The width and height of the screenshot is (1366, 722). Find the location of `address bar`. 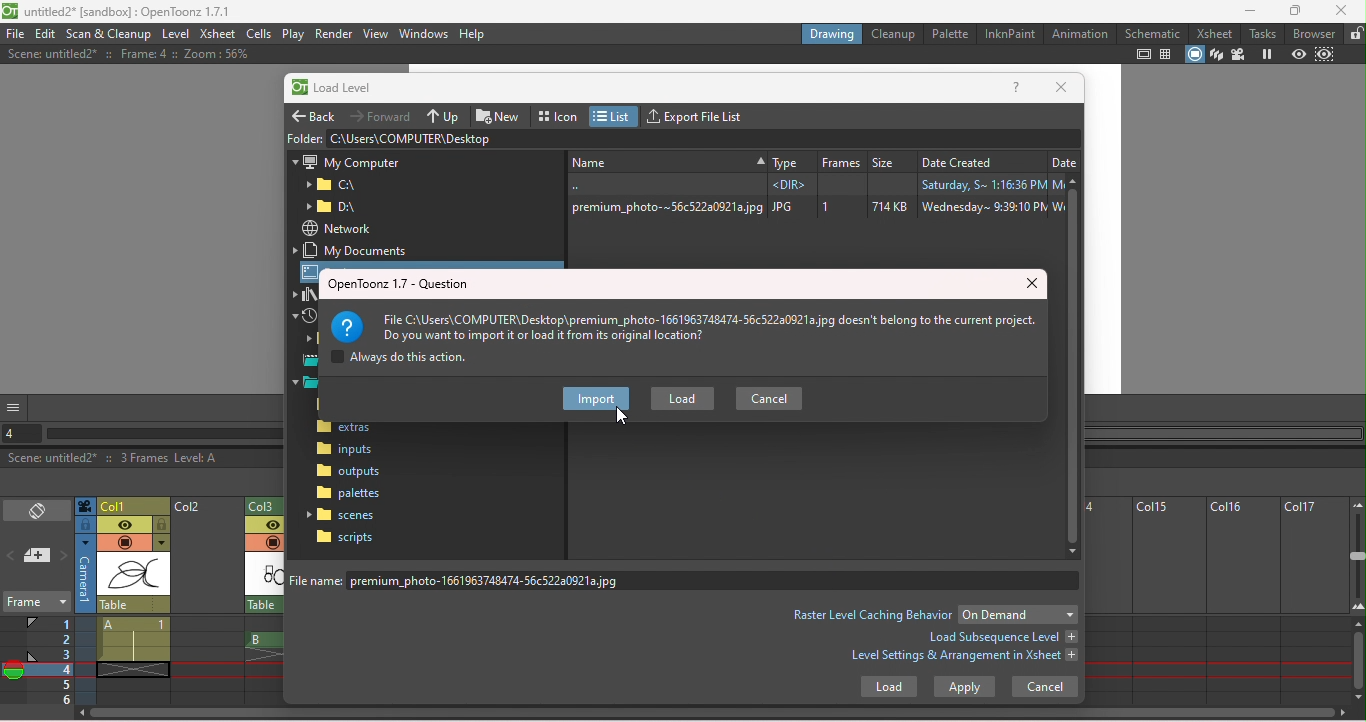

address bar is located at coordinates (703, 138).